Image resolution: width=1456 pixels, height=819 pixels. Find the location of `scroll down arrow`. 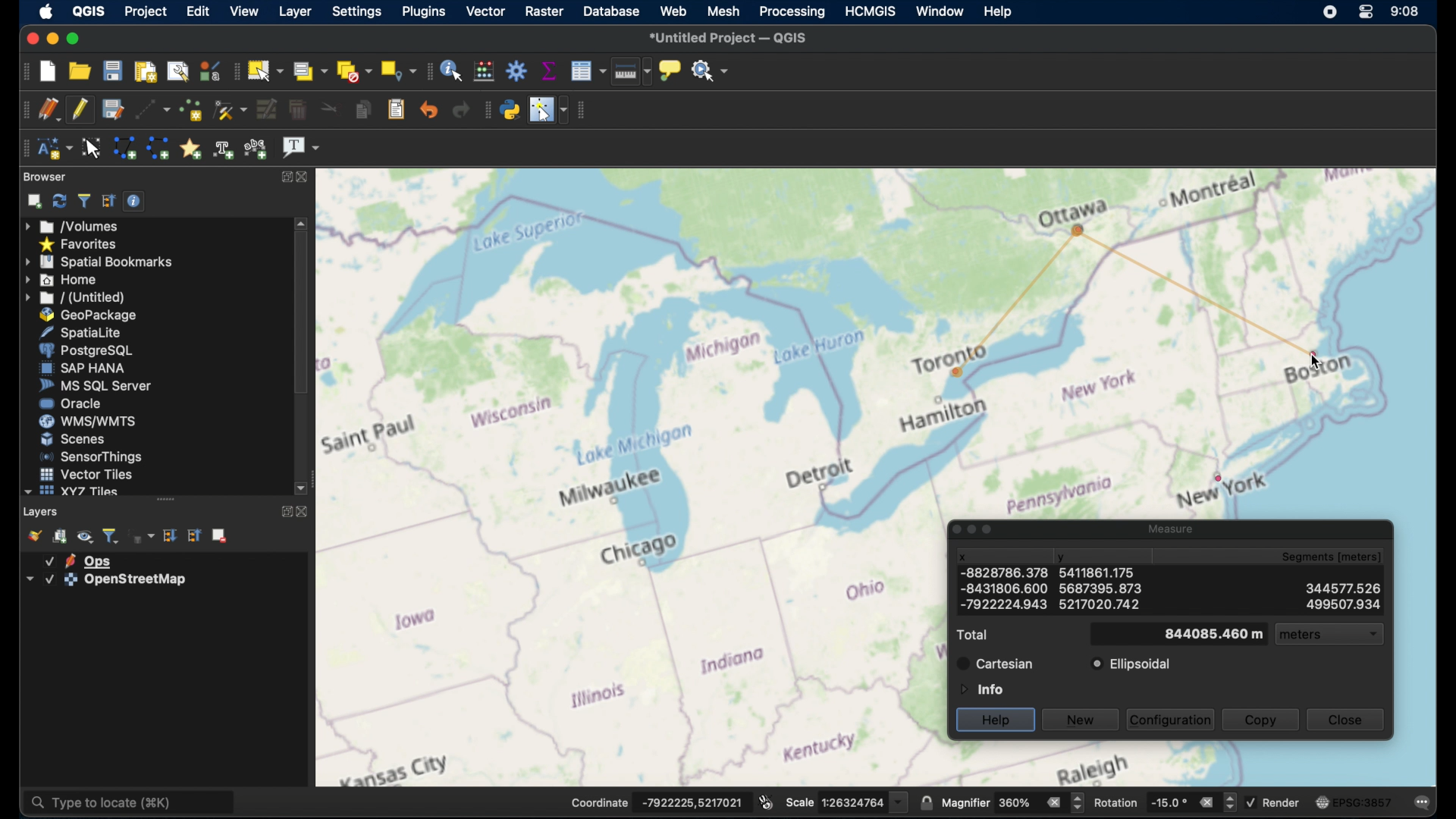

scroll down arrow is located at coordinates (303, 489).